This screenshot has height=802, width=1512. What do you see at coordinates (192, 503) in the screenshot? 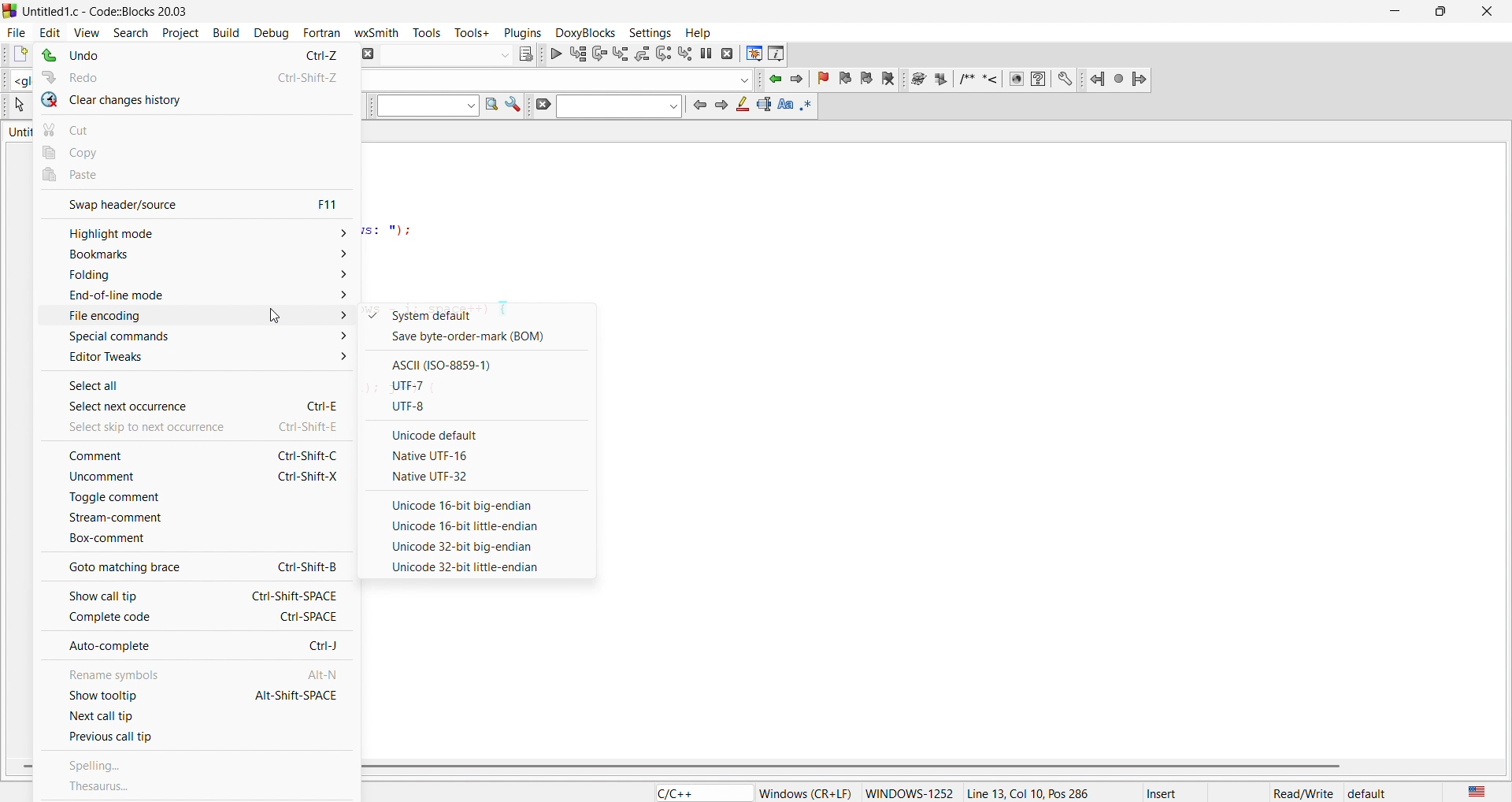
I see `toggle comment` at bounding box center [192, 503].